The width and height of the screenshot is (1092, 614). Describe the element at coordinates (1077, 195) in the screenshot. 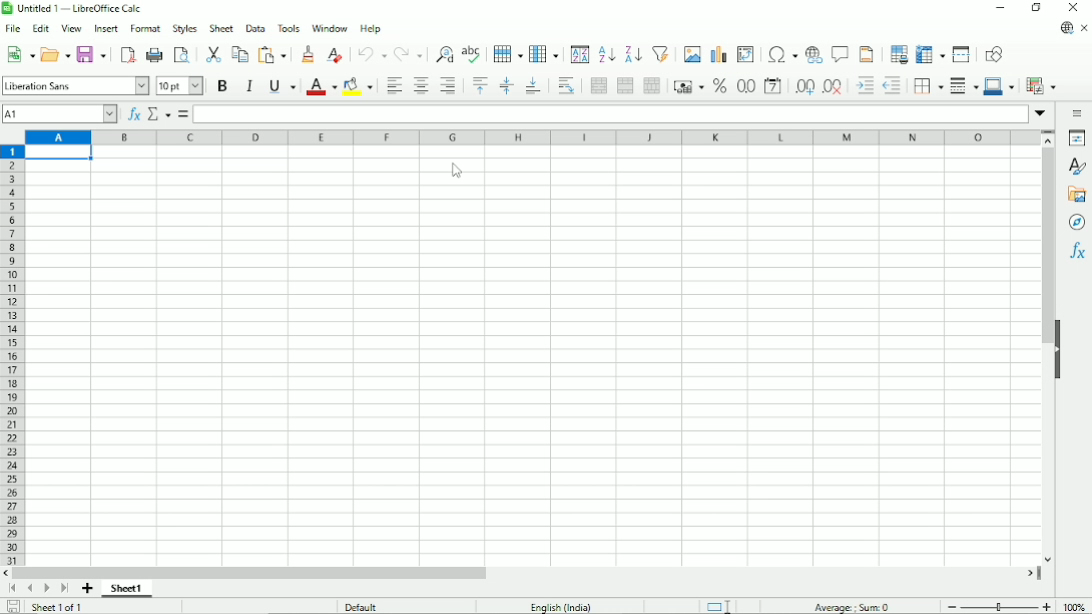

I see `Gallery` at that location.